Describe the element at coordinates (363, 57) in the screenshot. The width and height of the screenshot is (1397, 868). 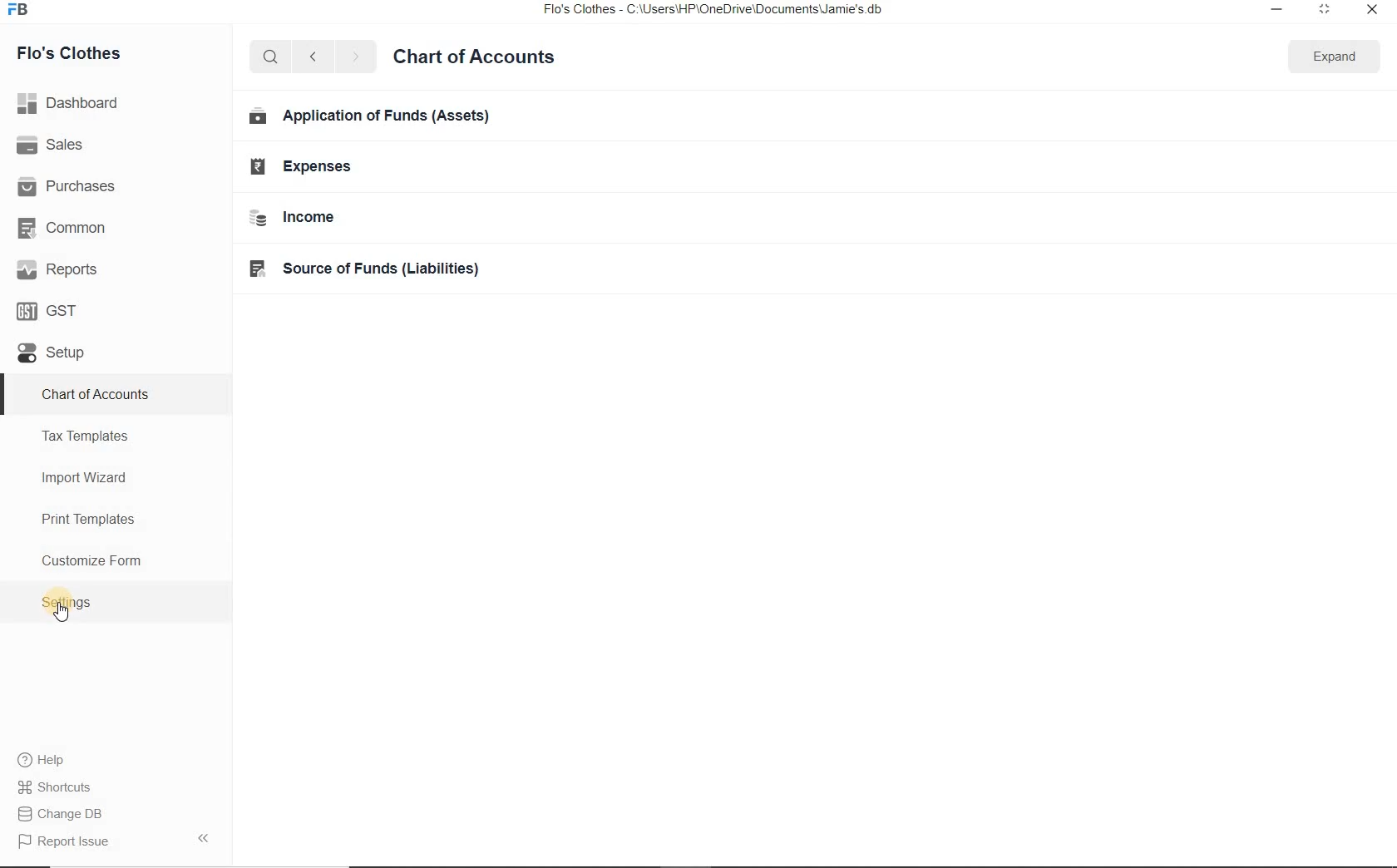
I see `forward` at that location.